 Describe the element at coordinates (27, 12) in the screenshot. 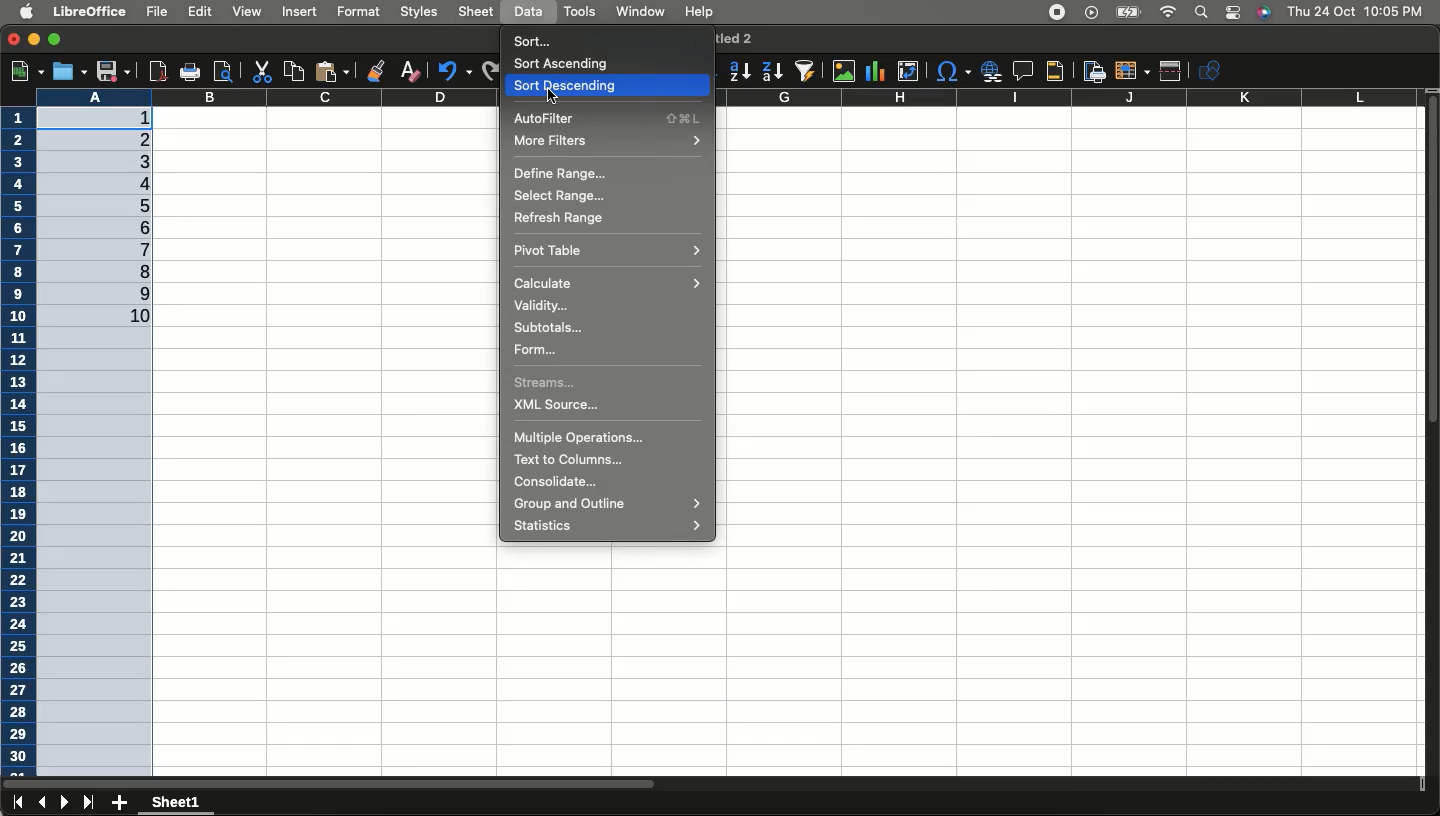

I see `Apple logo` at that location.